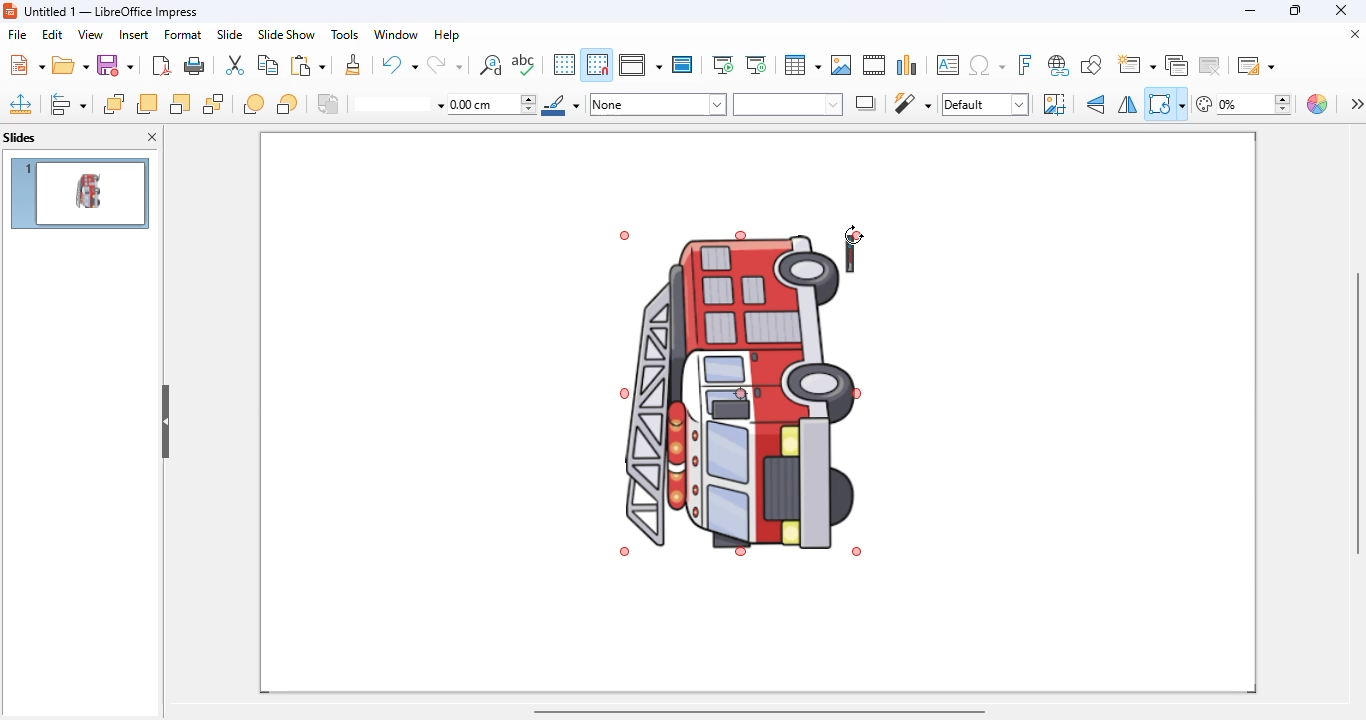 The height and width of the screenshot is (720, 1366). What do you see at coordinates (254, 104) in the screenshot?
I see `in front of objects` at bounding box center [254, 104].